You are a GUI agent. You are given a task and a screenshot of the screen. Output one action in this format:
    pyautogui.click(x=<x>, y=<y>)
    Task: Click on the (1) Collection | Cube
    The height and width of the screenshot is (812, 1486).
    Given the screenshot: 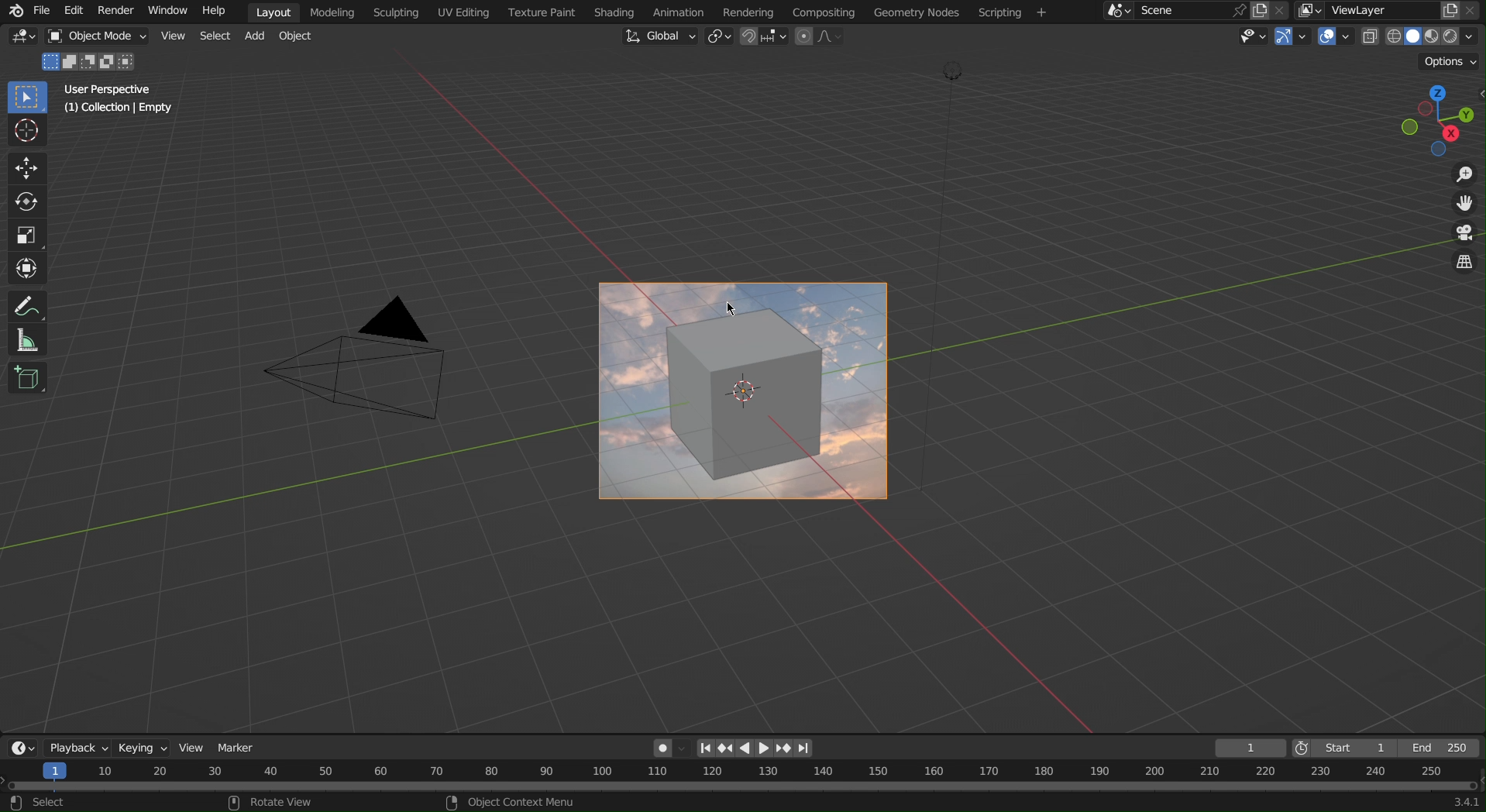 What is the action you would take?
    pyautogui.click(x=118, y=109)
    